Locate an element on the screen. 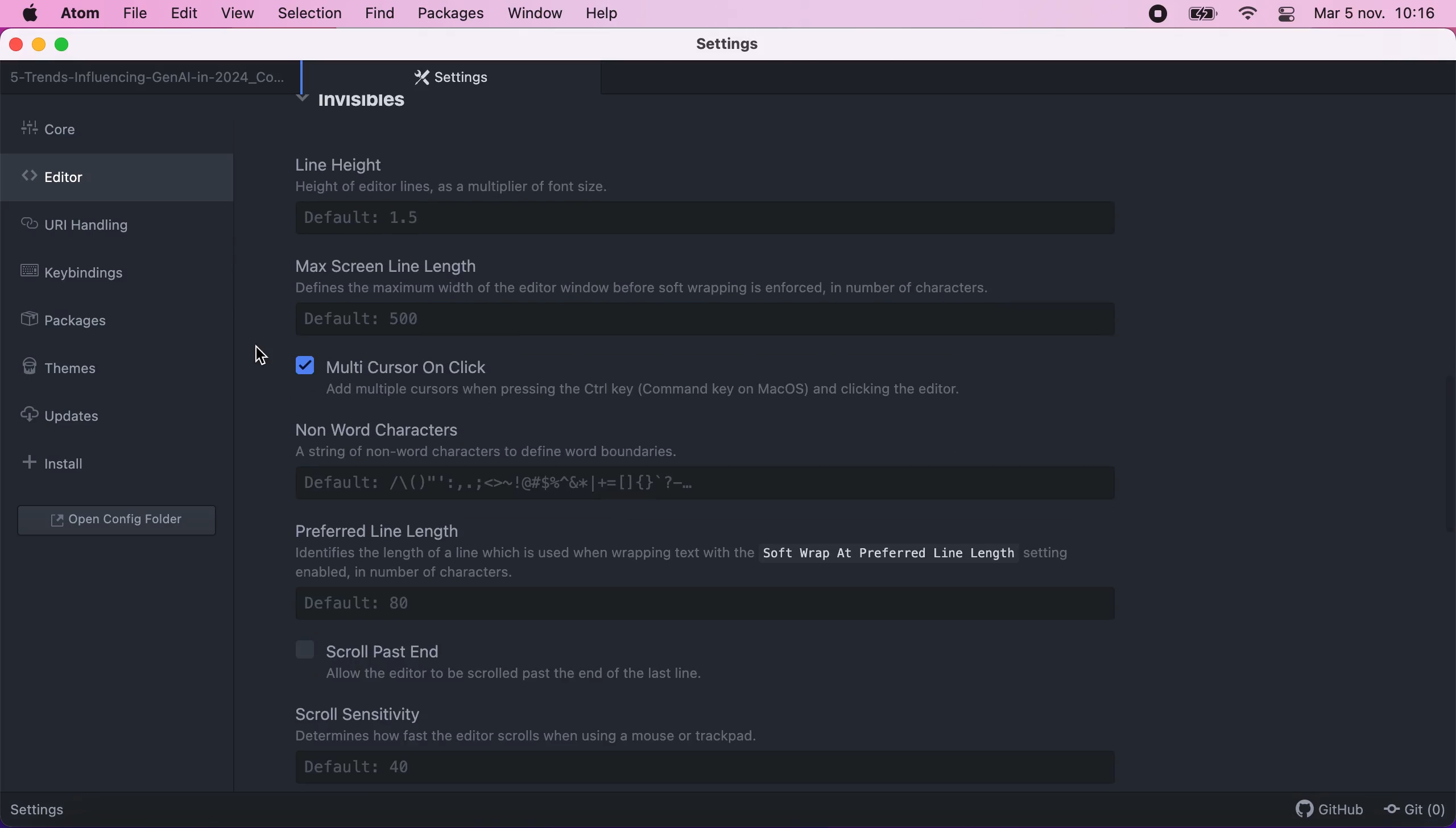 The width and height of the screenshot is (1456, 828). find is located at coordinates (379, 14).